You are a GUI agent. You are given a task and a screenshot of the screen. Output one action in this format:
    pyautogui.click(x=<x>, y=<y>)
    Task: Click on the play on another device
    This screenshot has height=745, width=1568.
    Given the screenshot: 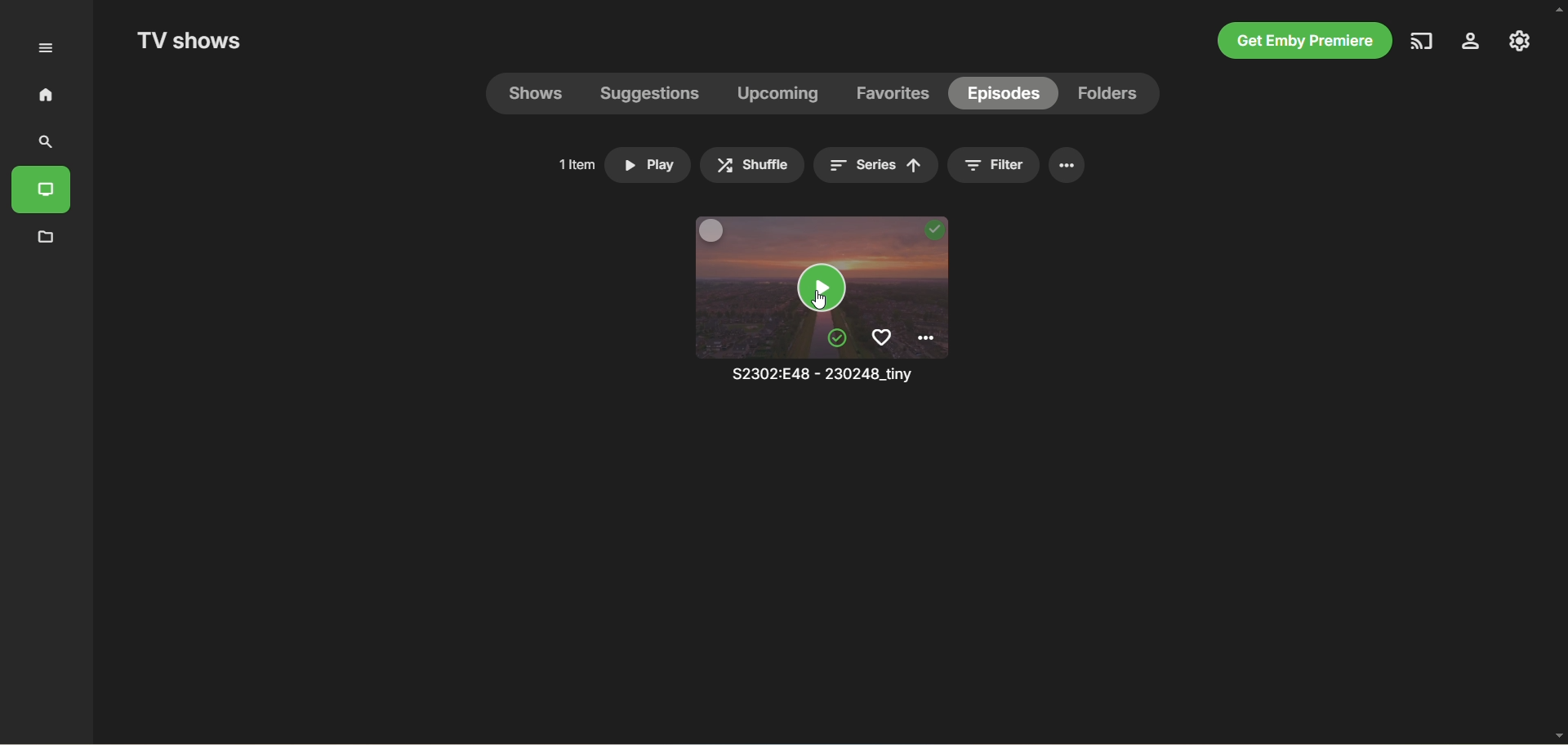 What is the action you would take?
    pyautogui.click(x=1423, y=41)
    